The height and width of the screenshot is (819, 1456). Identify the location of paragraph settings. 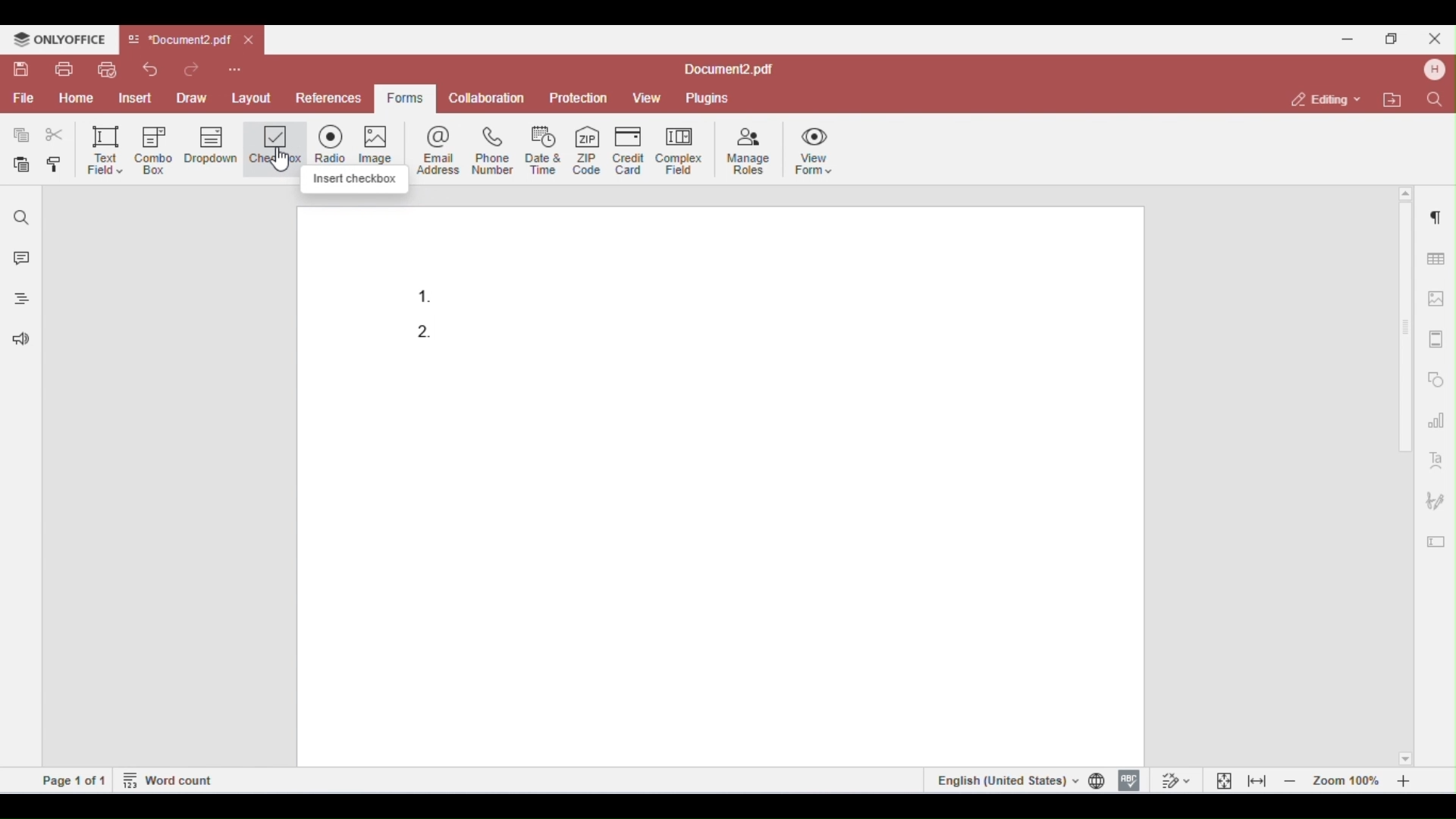
(1432, 214).